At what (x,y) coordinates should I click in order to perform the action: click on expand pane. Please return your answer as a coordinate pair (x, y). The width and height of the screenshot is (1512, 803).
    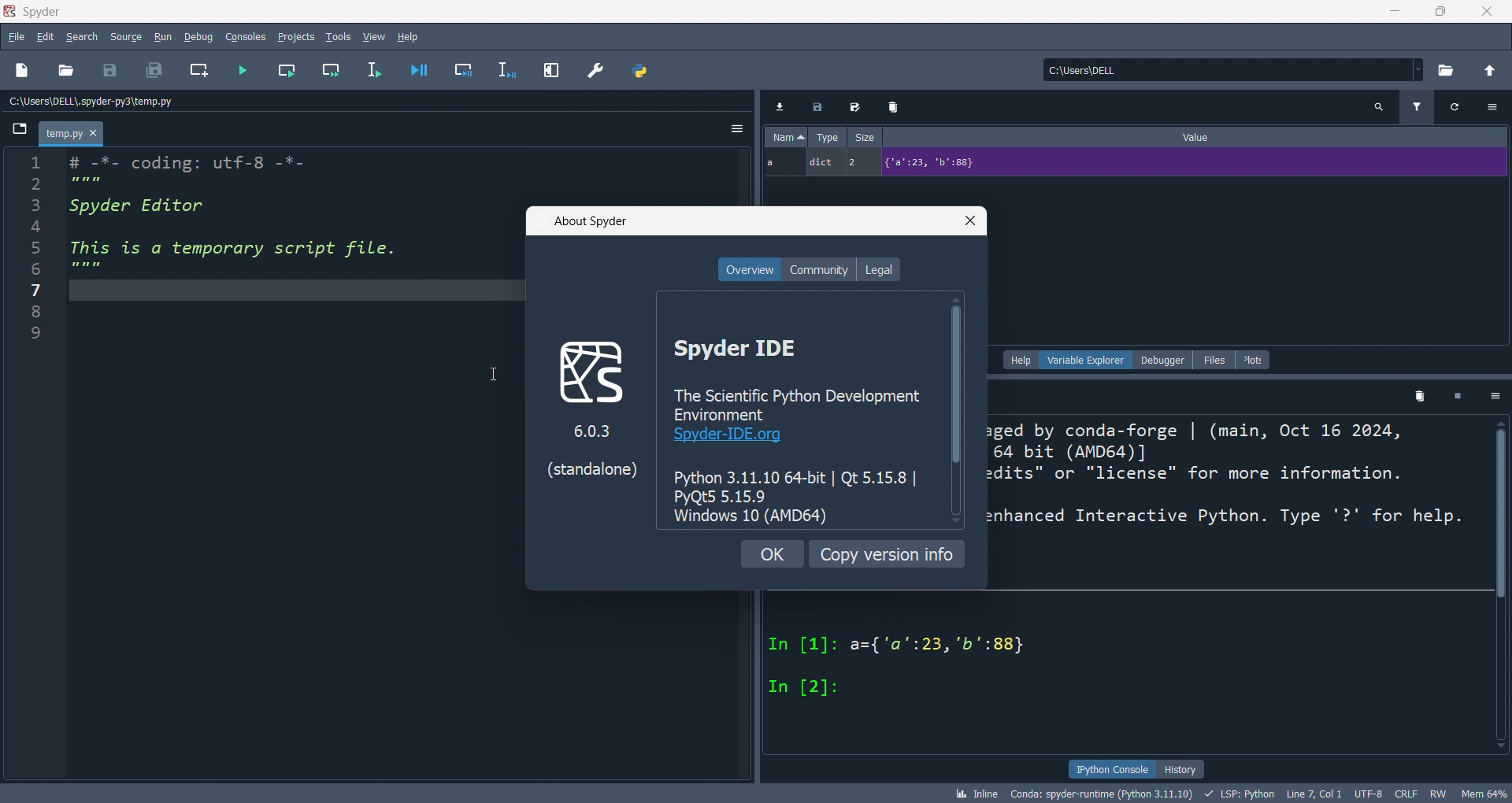
    Looking at the image, I should click on (553, 69).